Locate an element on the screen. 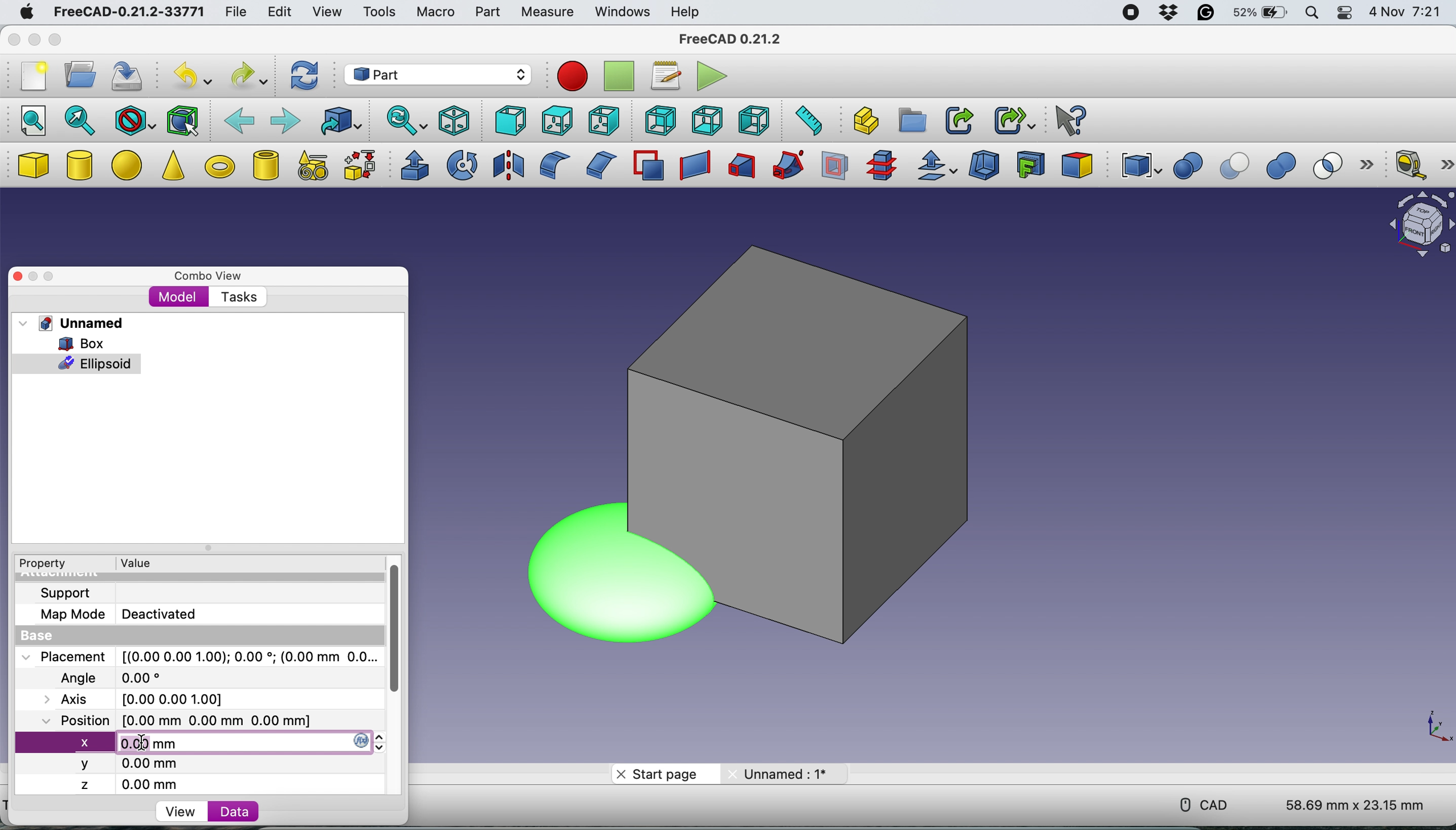  stop recording macros is located at coordinates (621, 77).